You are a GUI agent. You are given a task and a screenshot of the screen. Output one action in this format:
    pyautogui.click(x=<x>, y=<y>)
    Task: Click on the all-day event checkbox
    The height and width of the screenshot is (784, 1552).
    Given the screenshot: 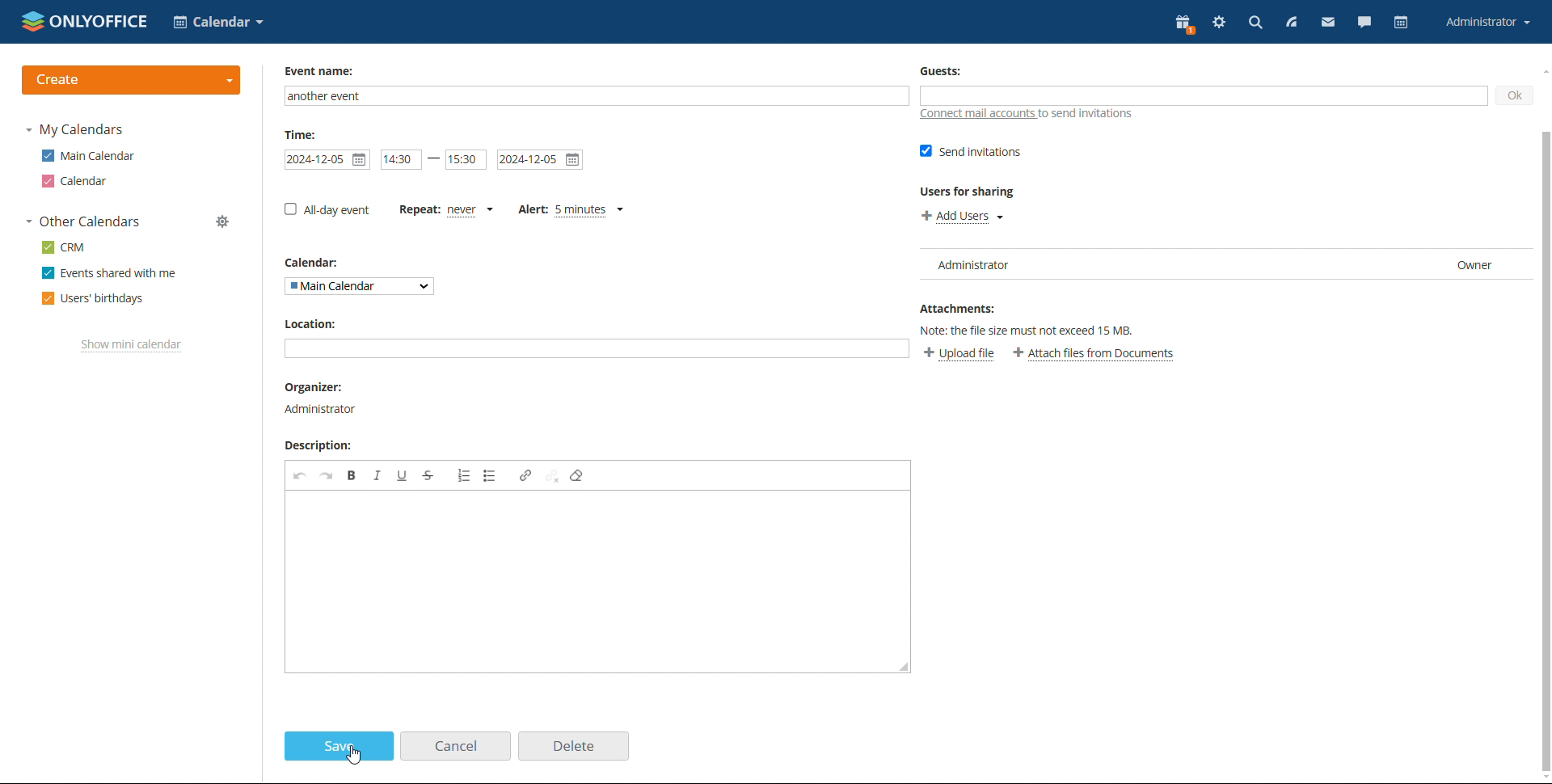 What is the action you would take?
    pyautogui.click(x=327, y=209)
    